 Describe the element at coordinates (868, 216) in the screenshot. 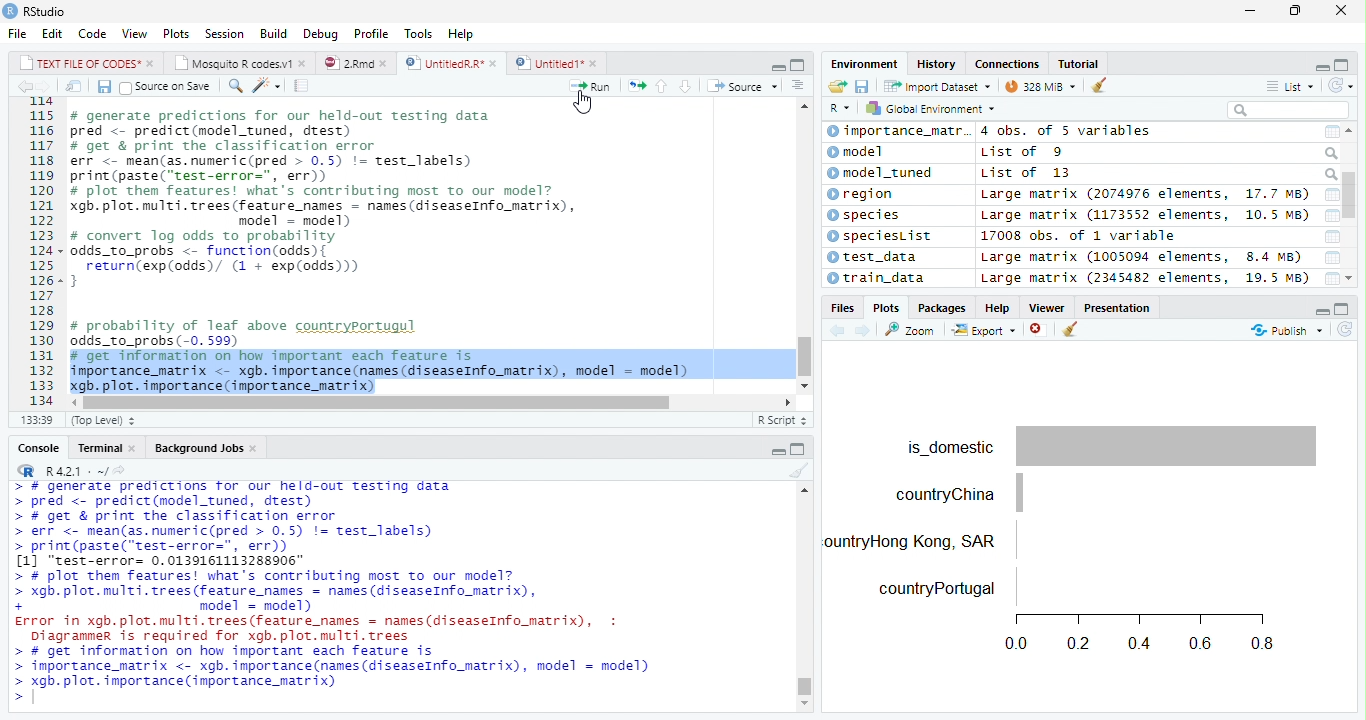

I see `species` at that location.